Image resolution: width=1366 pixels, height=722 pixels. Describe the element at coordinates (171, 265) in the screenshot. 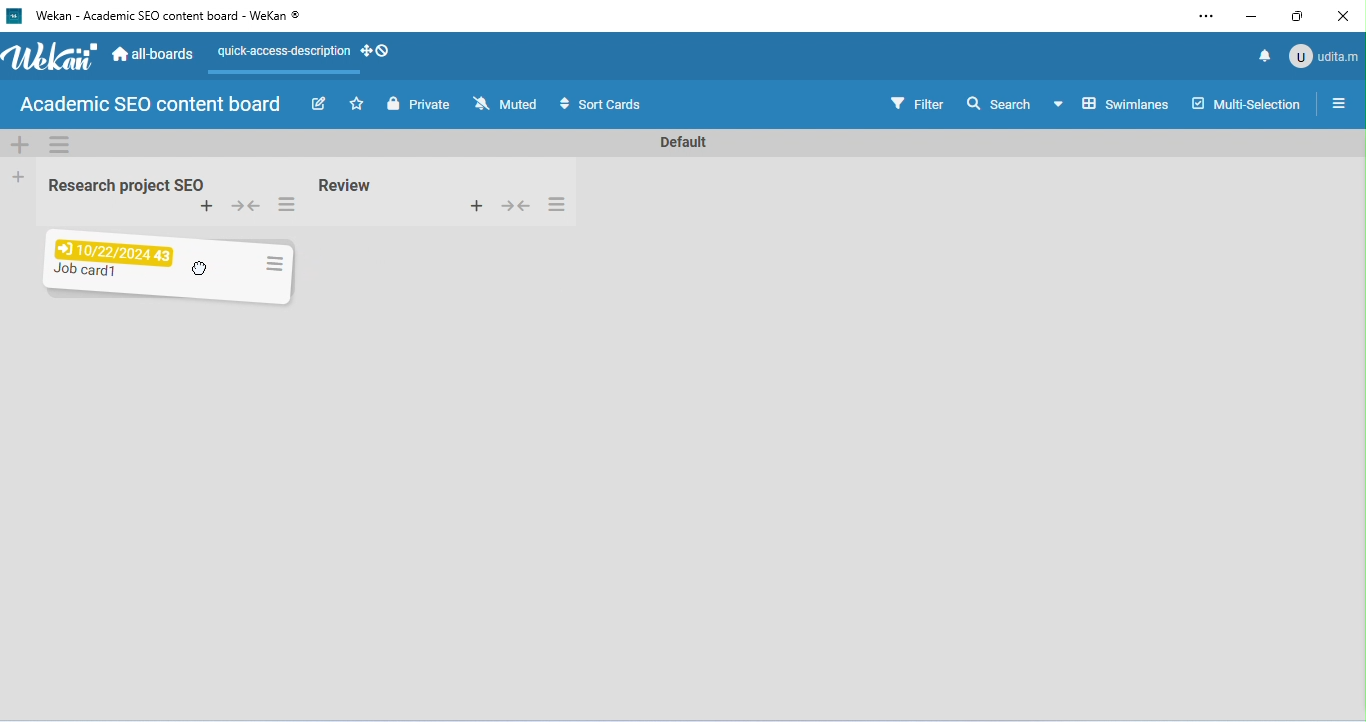

I see `card dragged to another list just before mouse up ` at that location.